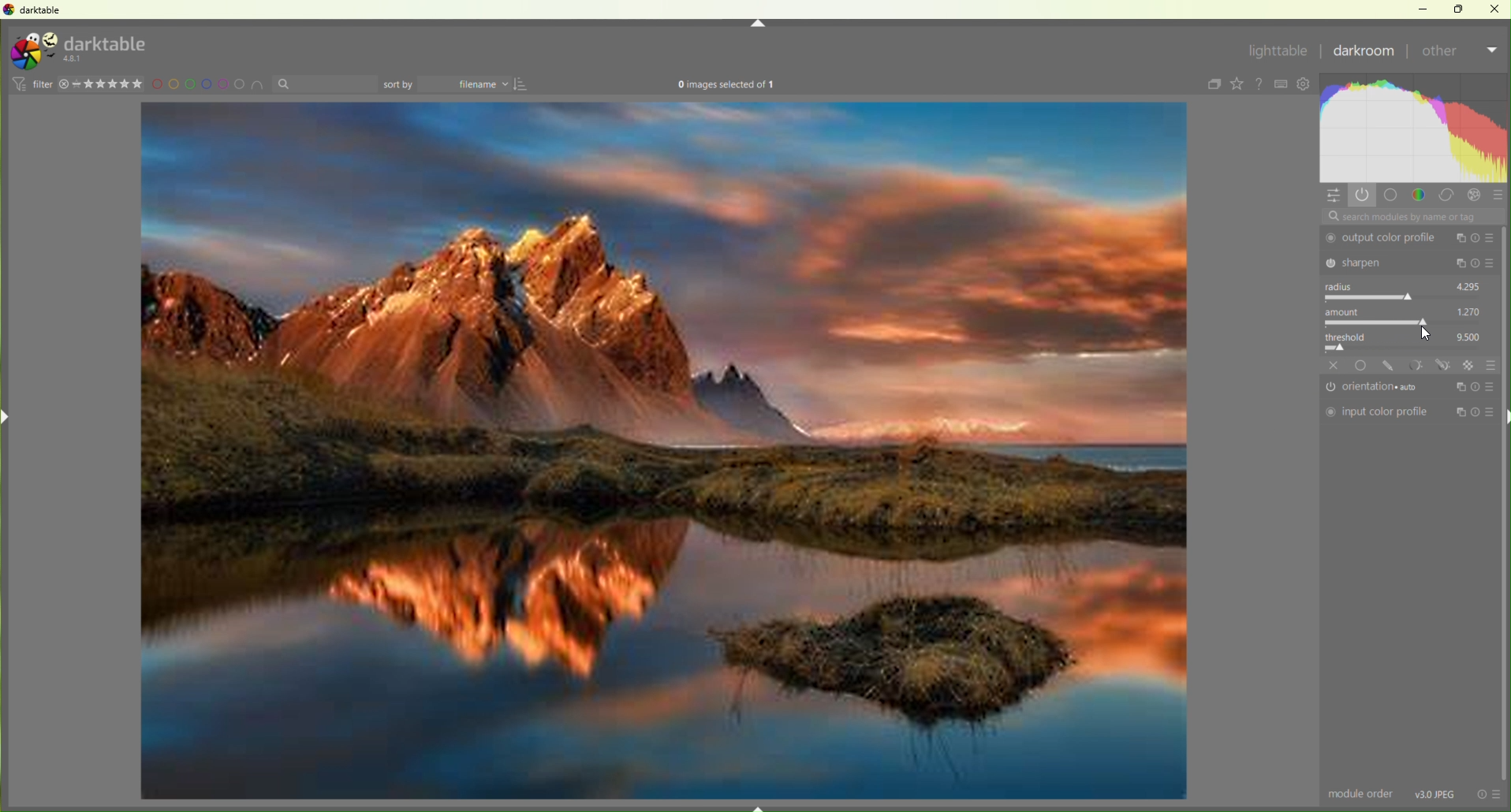  I want to click on color, so click(1419, 194).